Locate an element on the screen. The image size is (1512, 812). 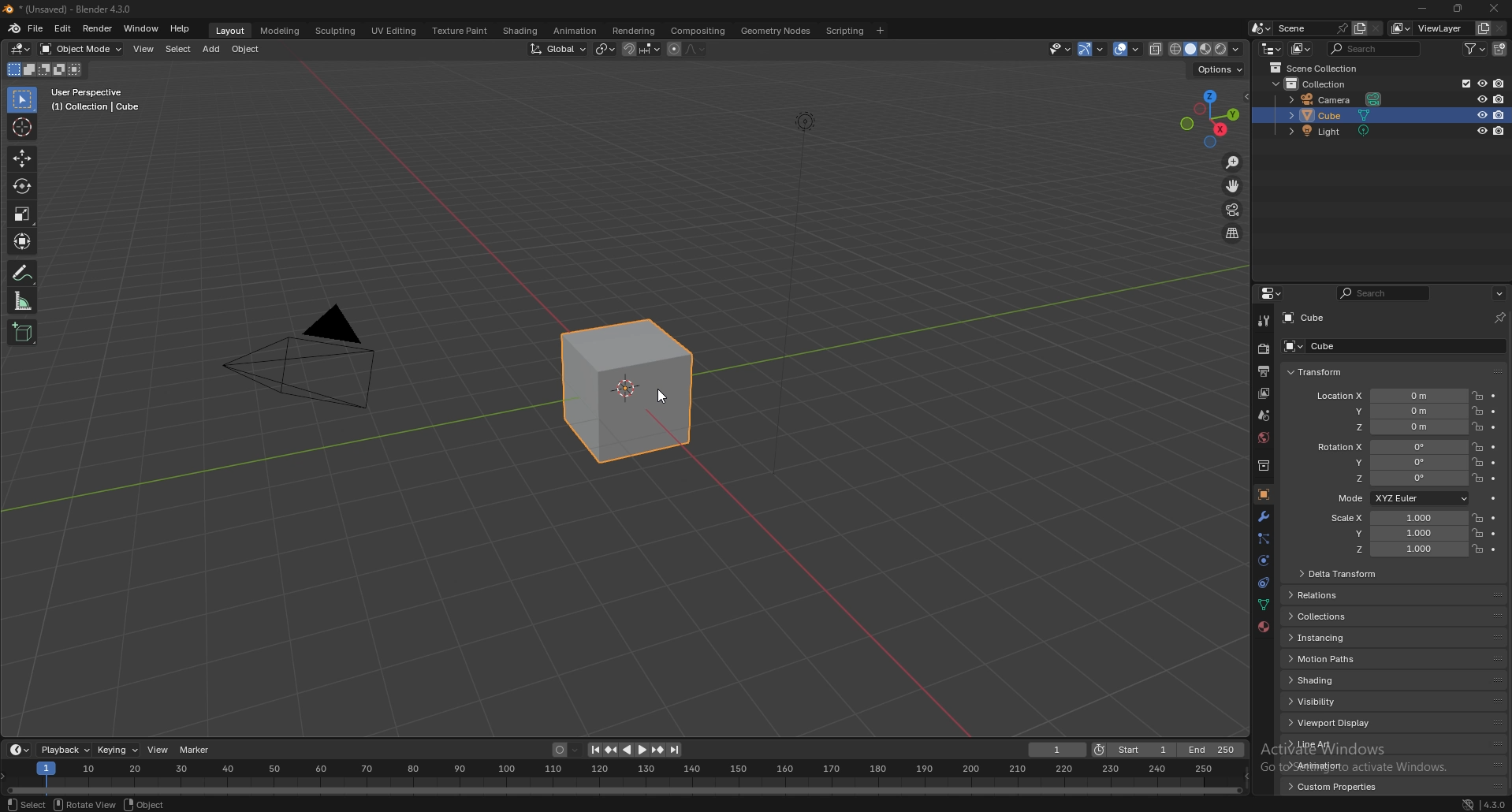
add workspace is located at coordinates (879, 31).